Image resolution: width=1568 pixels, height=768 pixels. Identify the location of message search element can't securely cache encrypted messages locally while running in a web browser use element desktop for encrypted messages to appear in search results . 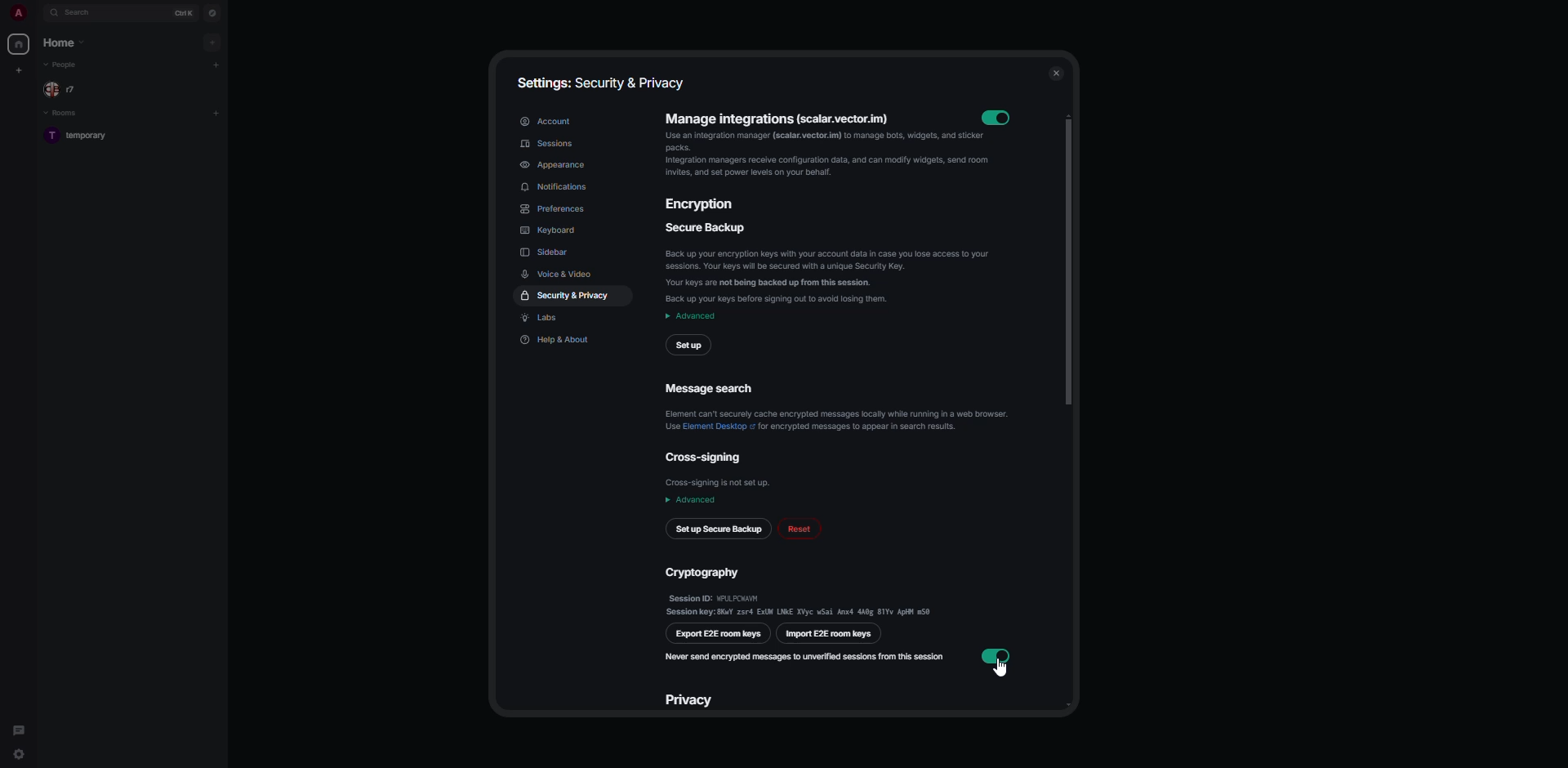
(835, 404).